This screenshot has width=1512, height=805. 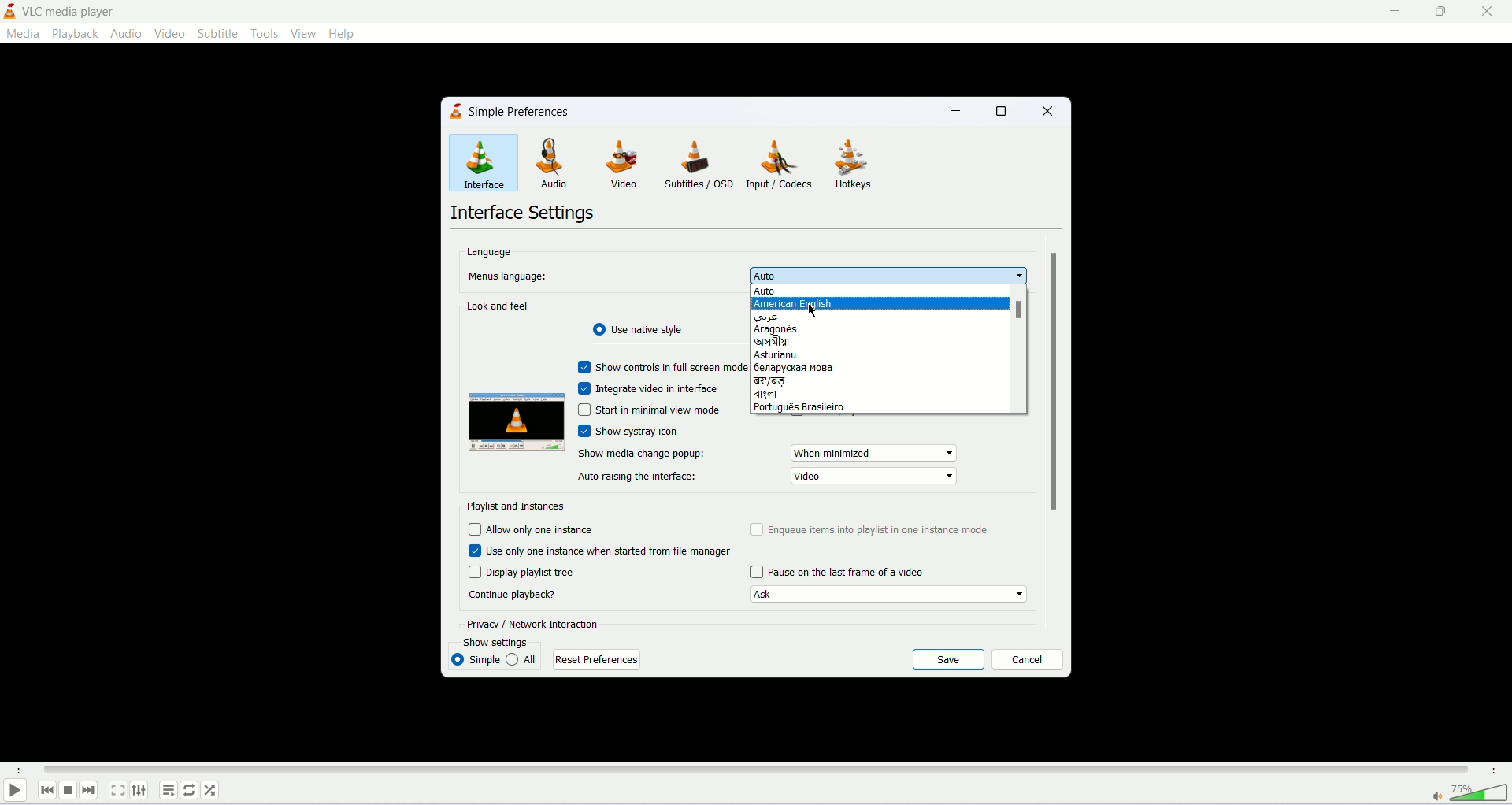 What do you see at coordinates (783, 163) in the screenshot?
I see `input` at bounding box center [783, 163].